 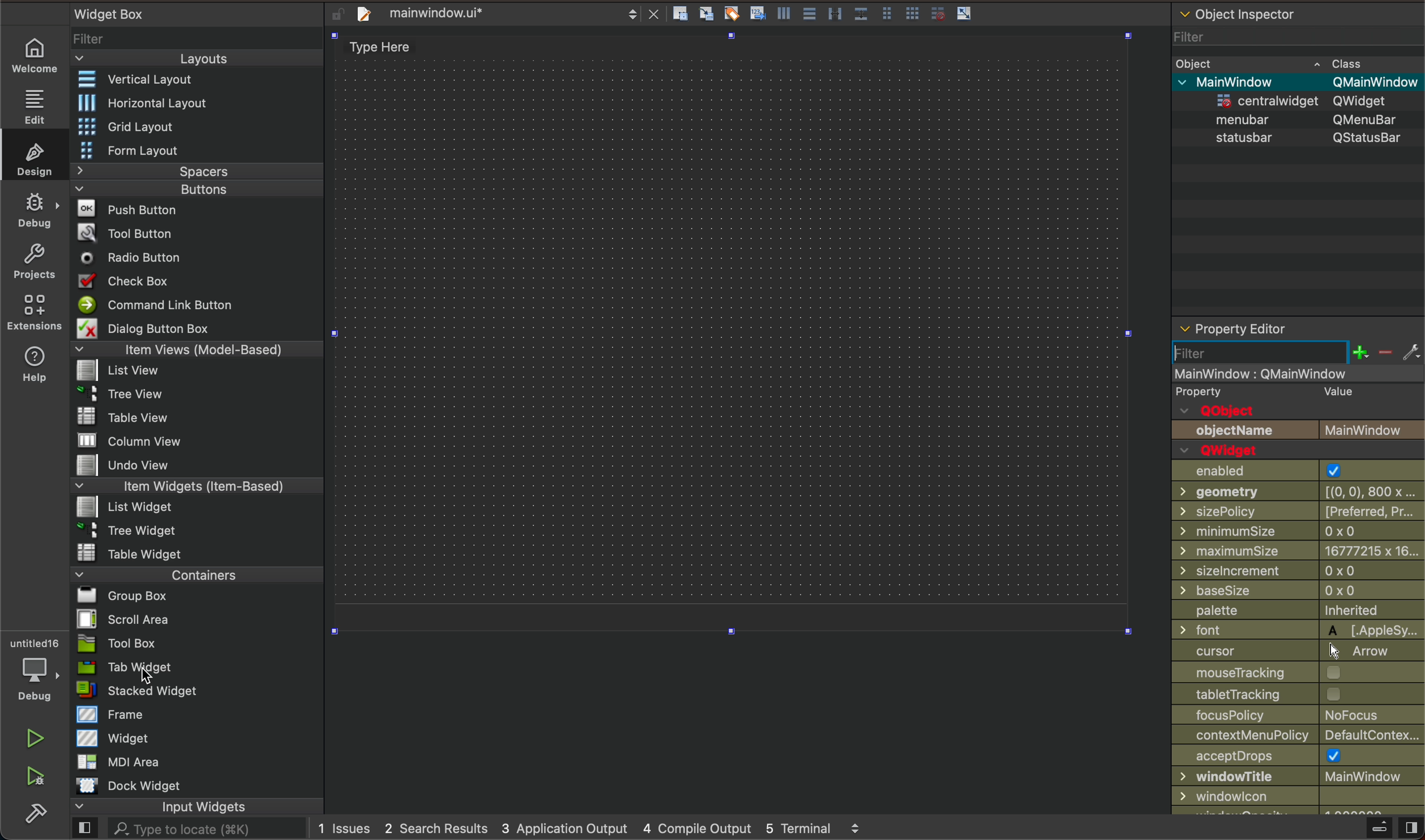 I want to click on Item Views (Model-Based), so click(x=198, y=350).